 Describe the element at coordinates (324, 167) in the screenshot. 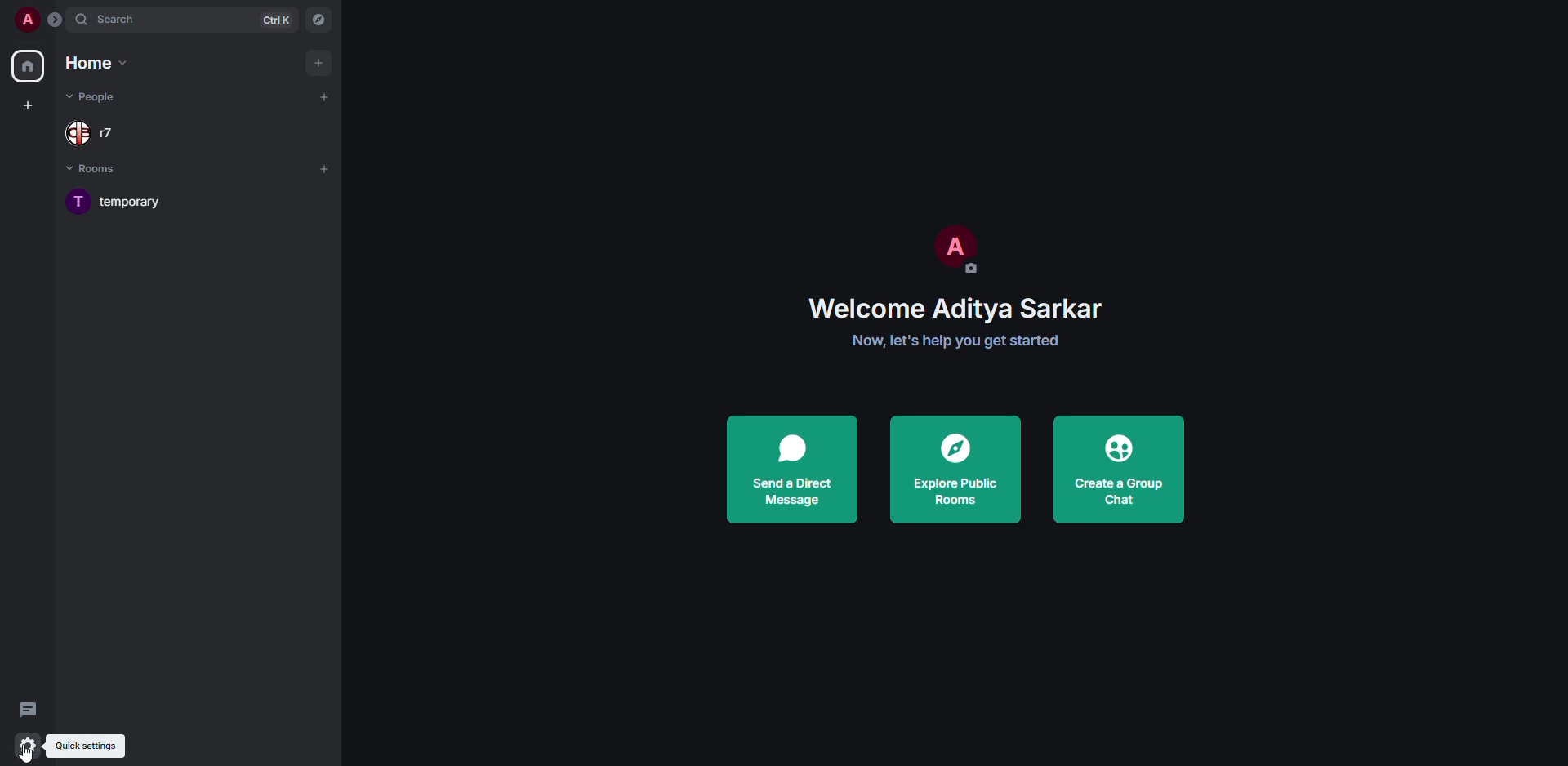

I see `add` at that location.